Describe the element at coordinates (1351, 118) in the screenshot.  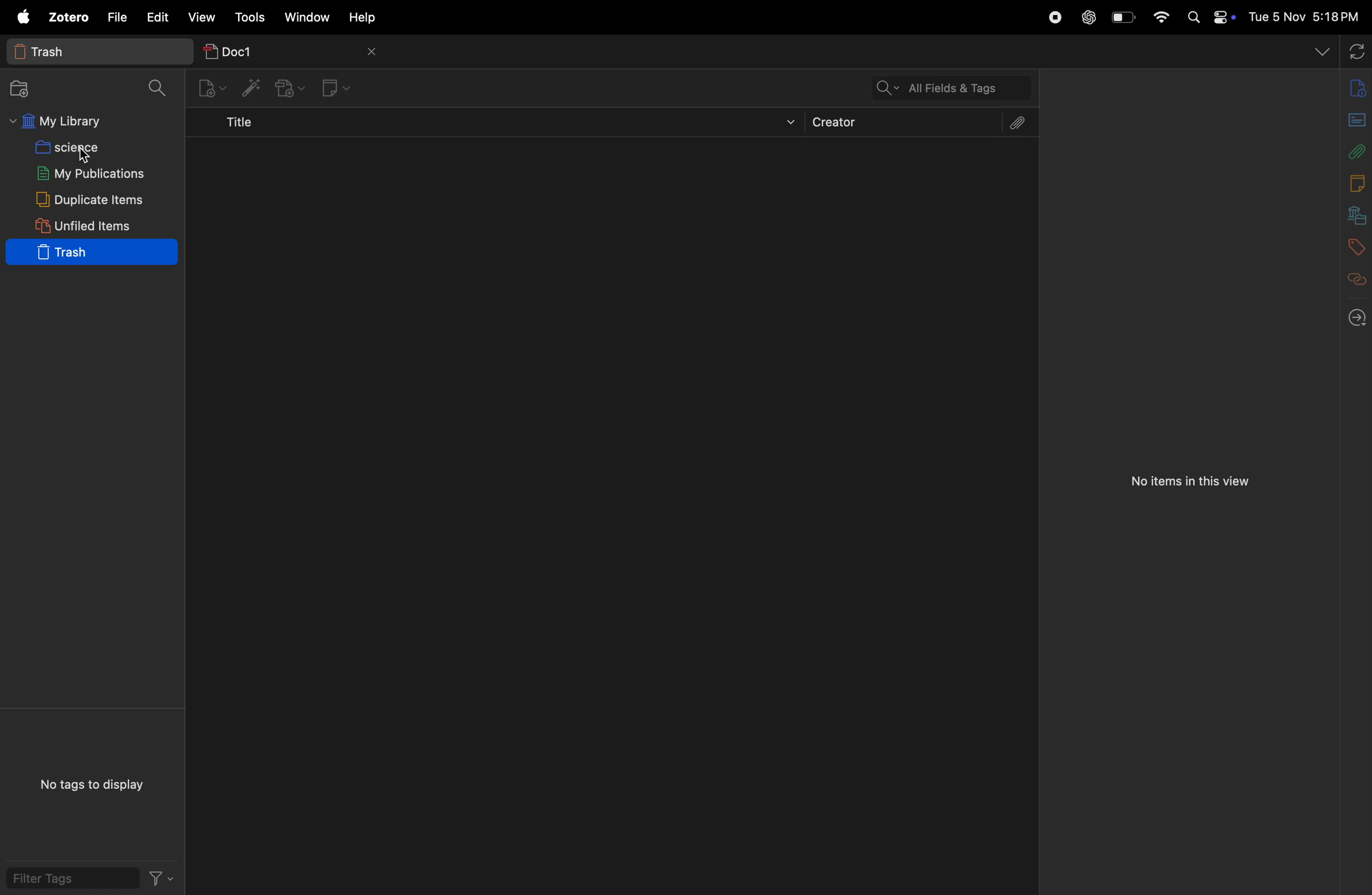
I see `new document` at that location.